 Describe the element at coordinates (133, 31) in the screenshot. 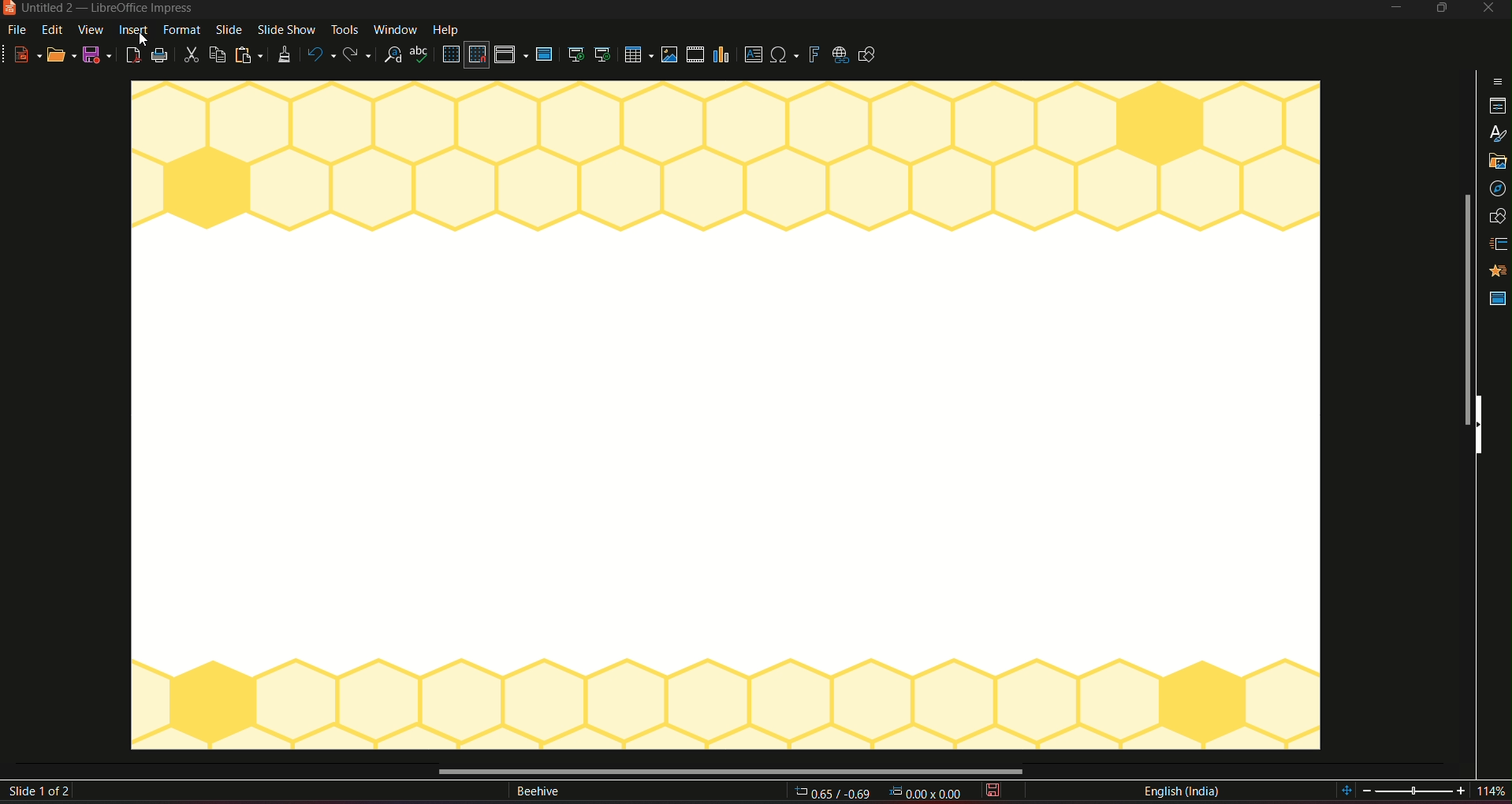

I see `insert` at that location.